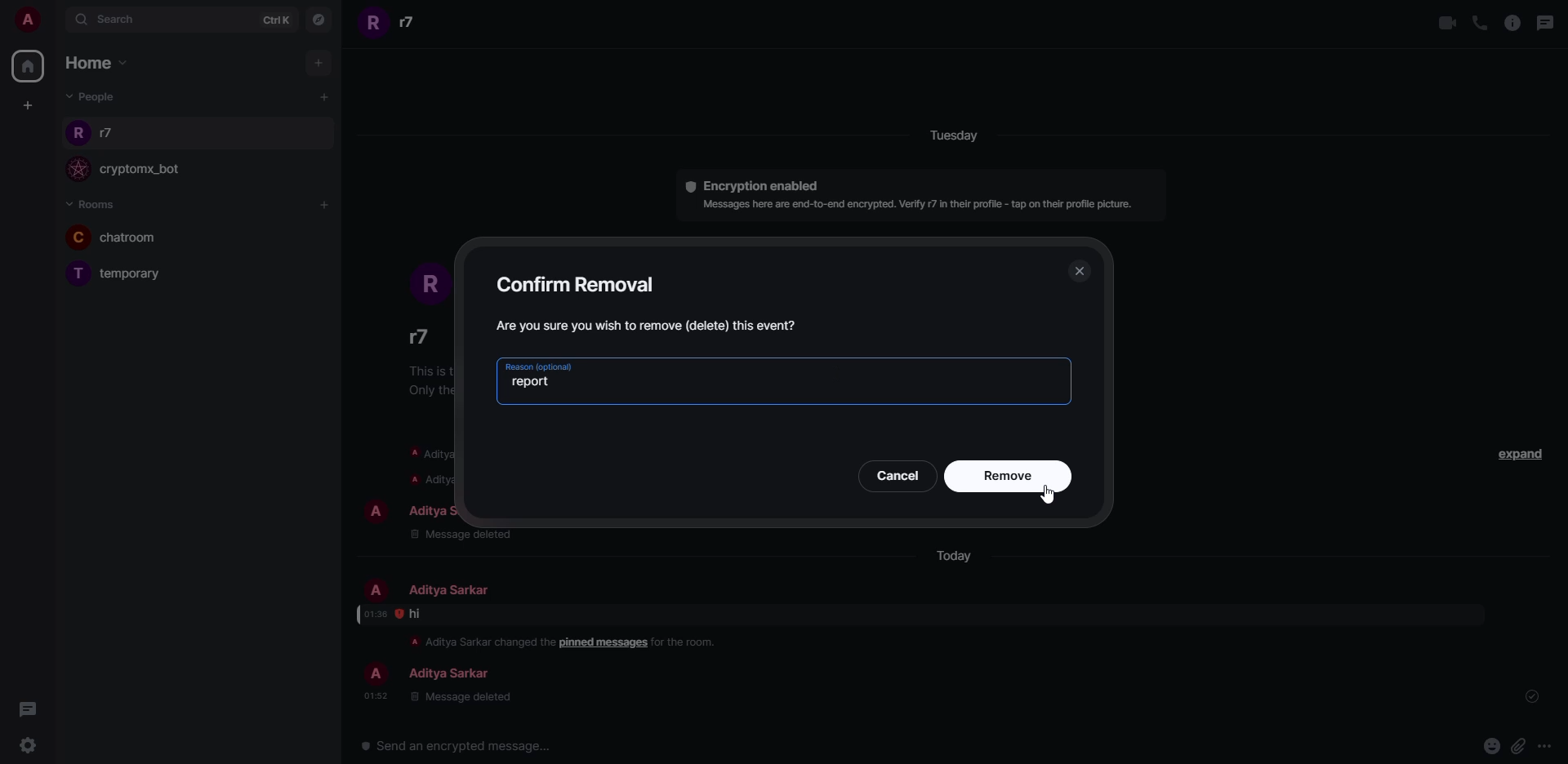 The image size is (1568, 764). What do you see at coordinates (421, 337) in the screenshot?
I see `people` at bounding box center [421, 337].